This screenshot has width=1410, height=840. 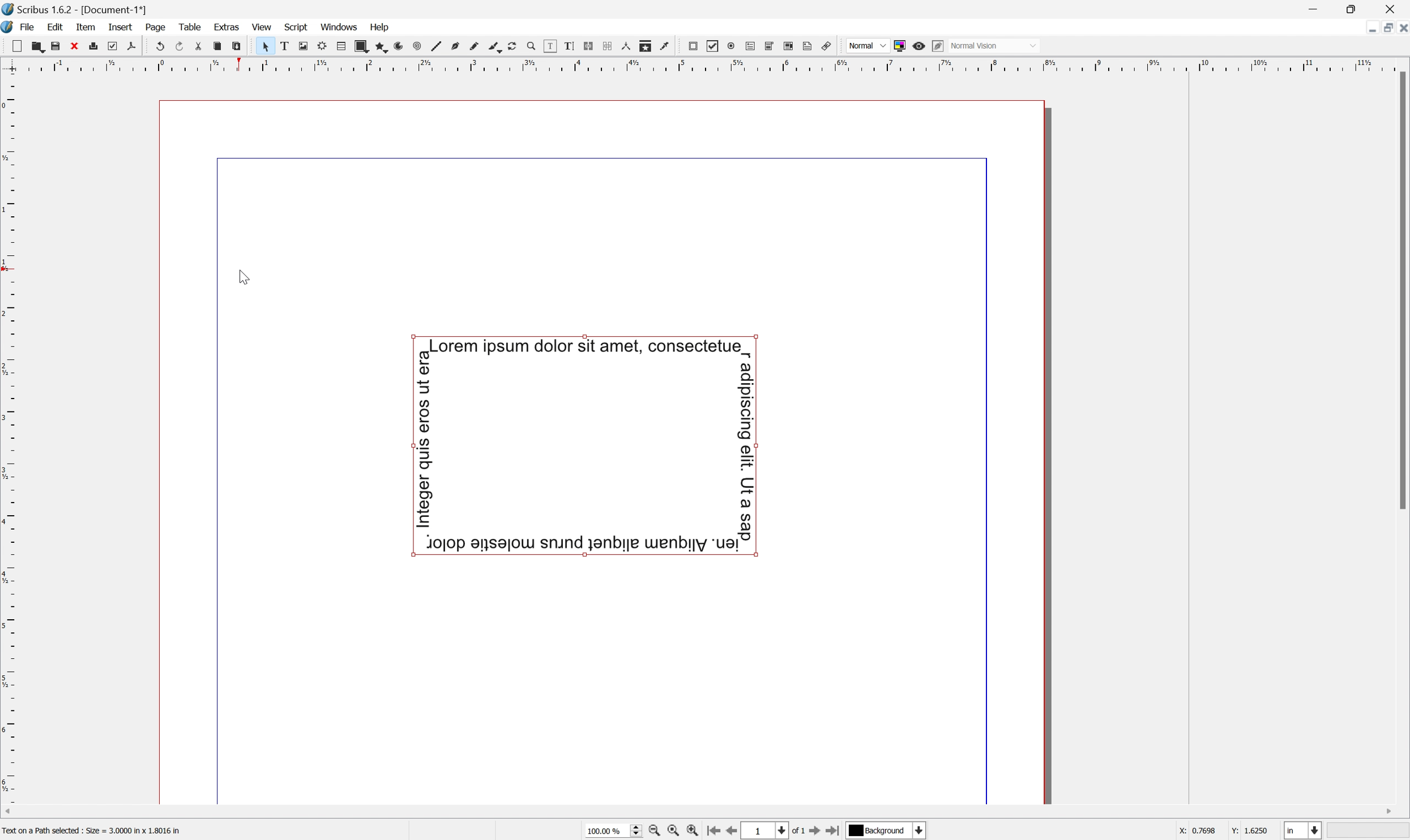 I want to click on Zoom in or out, so click(x=529, y=46).